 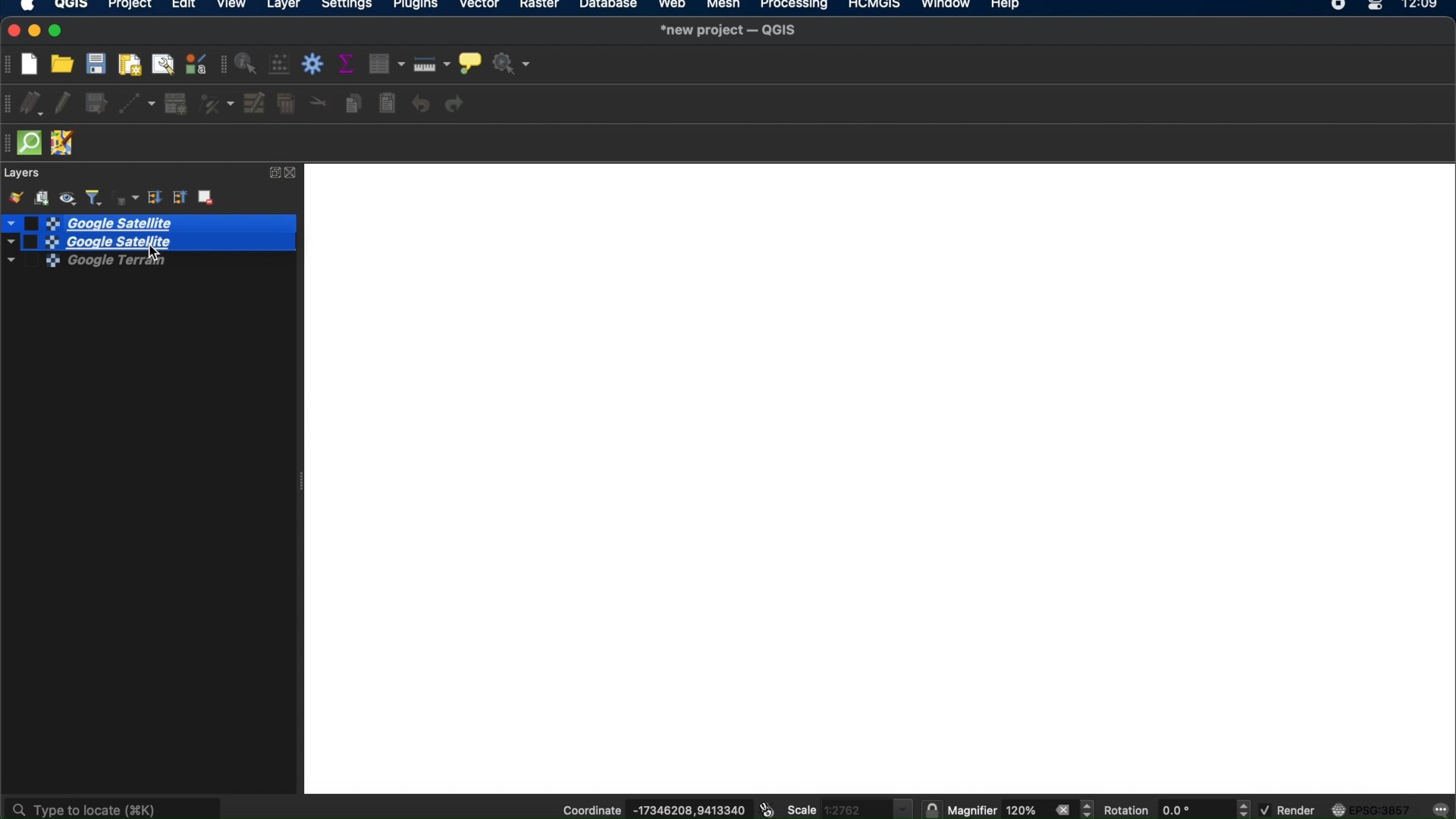 I want to click on expand, so click(x=272, y=173).